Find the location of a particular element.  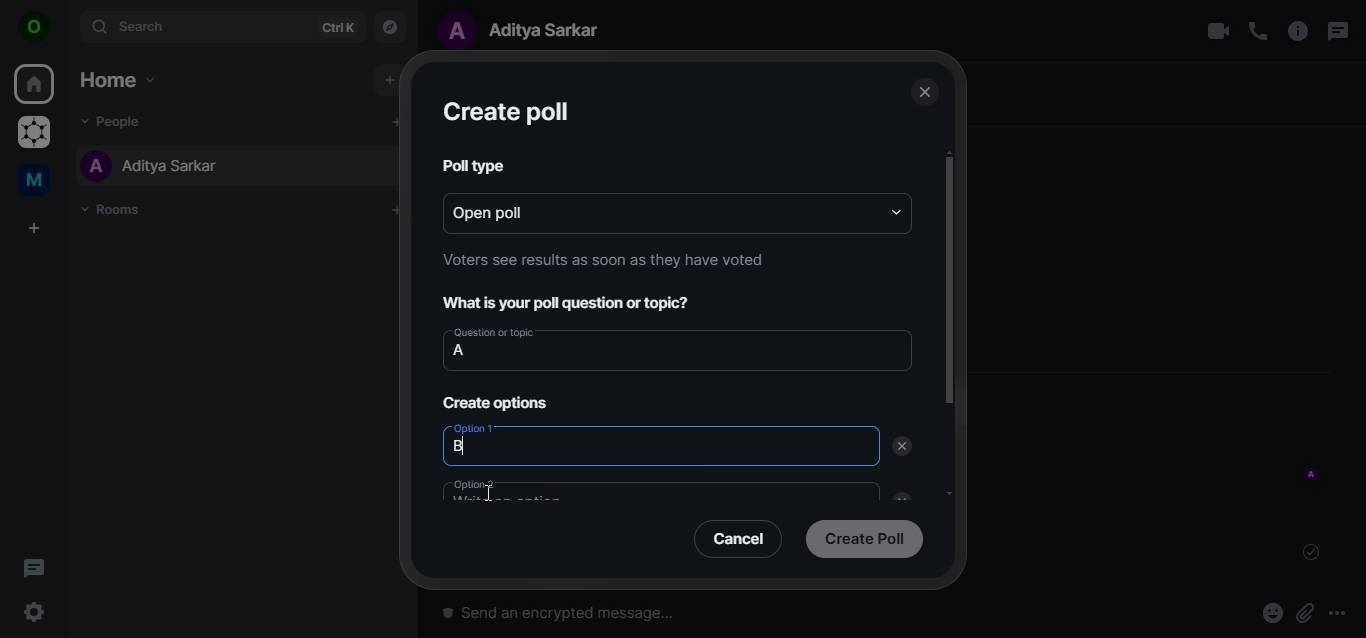

threads is located at coordinates (34, 567).